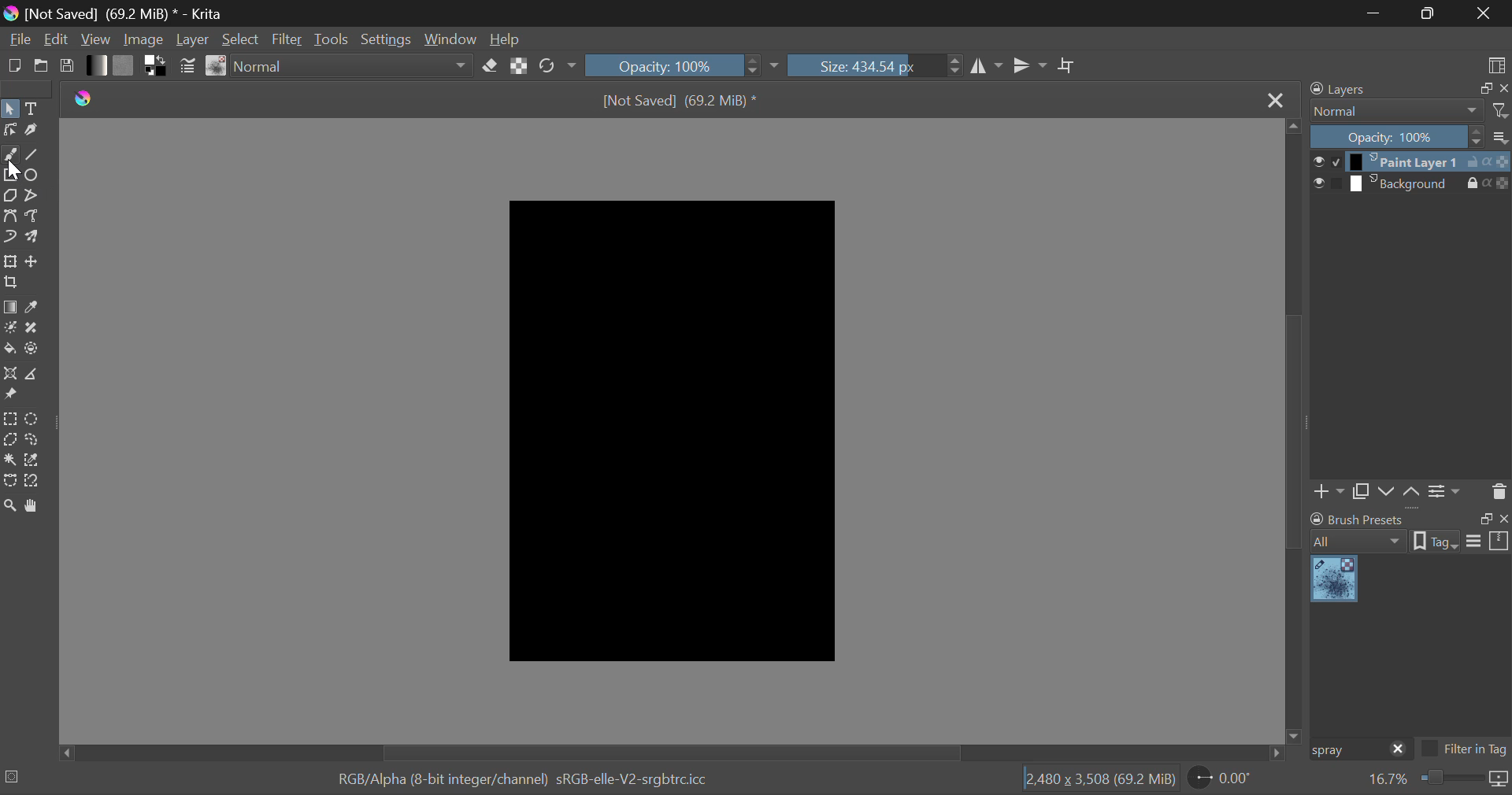 The height and width of the screenshot is (795, 1512). I want to click on logo, so click(84, 99).